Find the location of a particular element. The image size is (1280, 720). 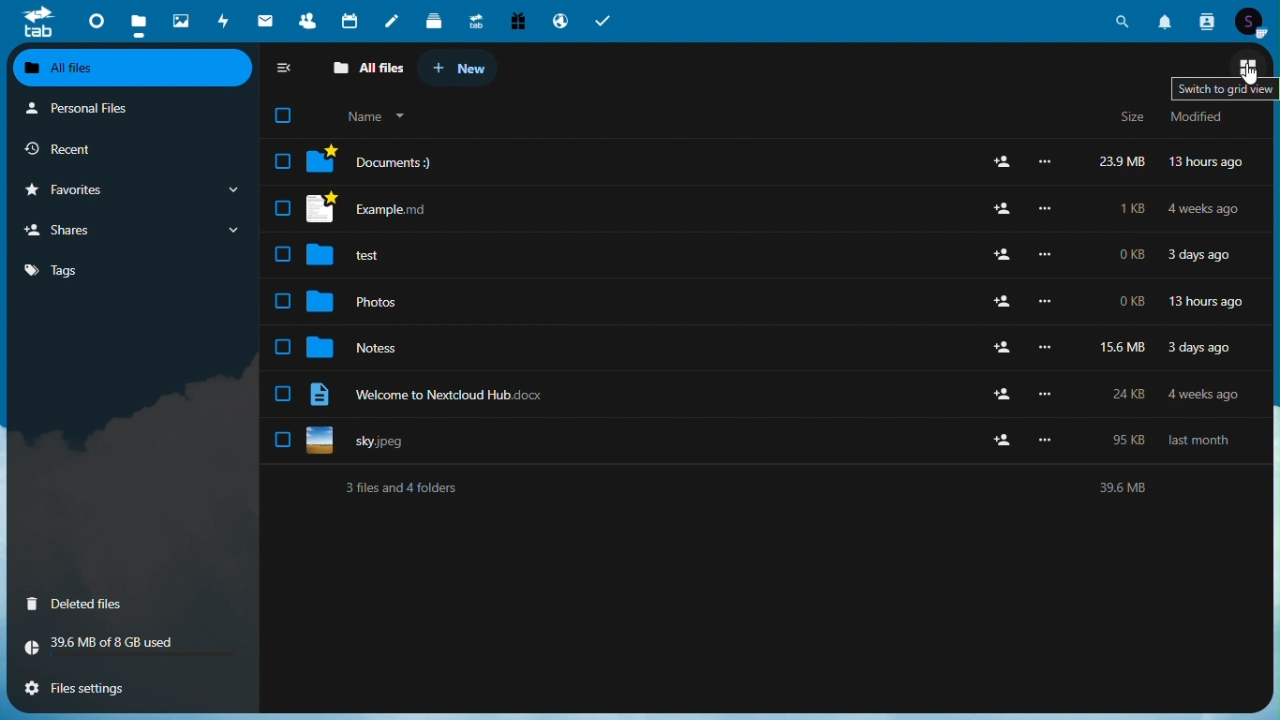

photos is located at coordinates (179, 17).